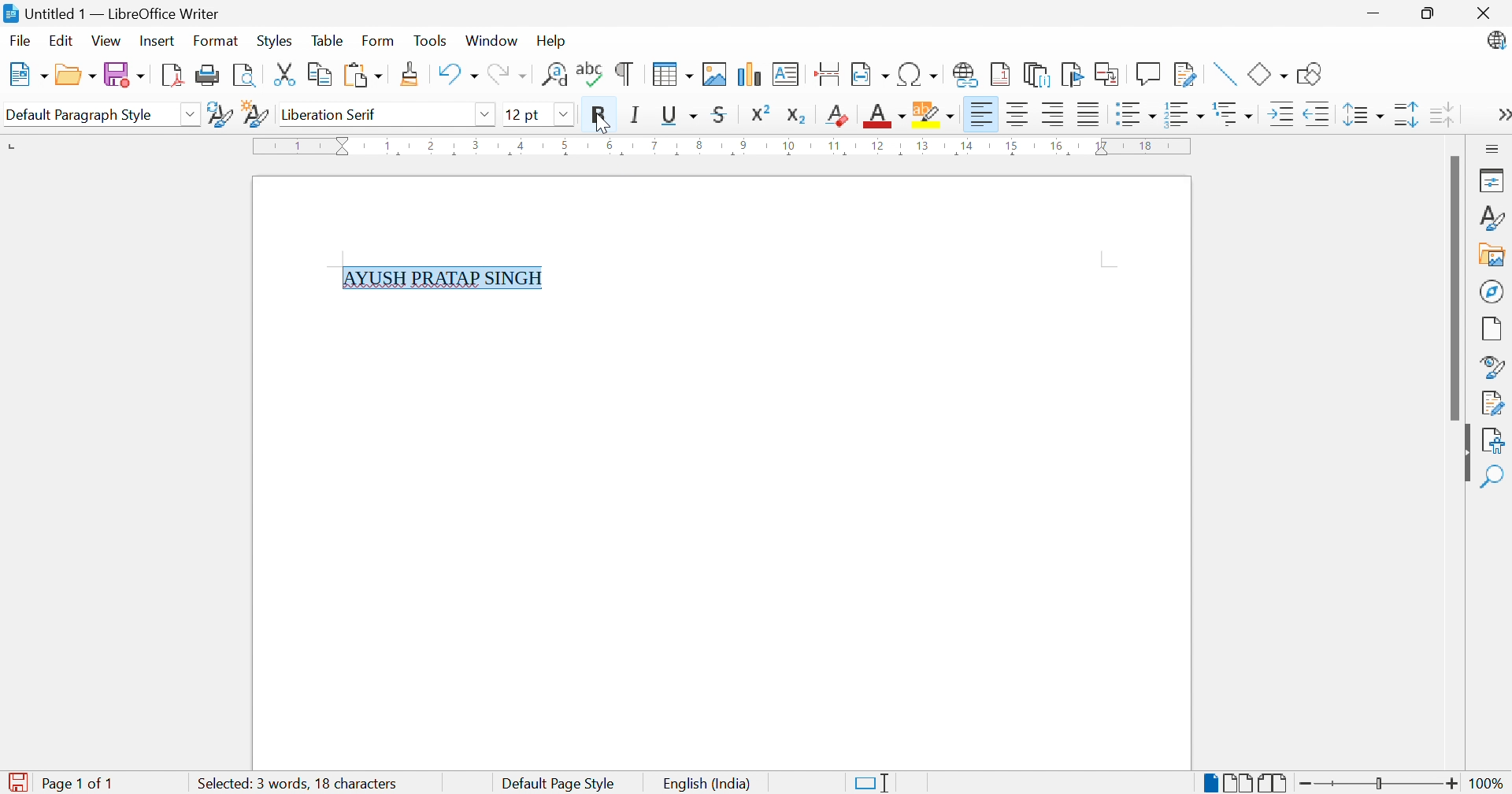 The width and height of the screenshot is (1512, 794). Describe the element at coordinates (1440, 113) in the screenshot. I see `Decrease Paragraph Spacing` at that location.